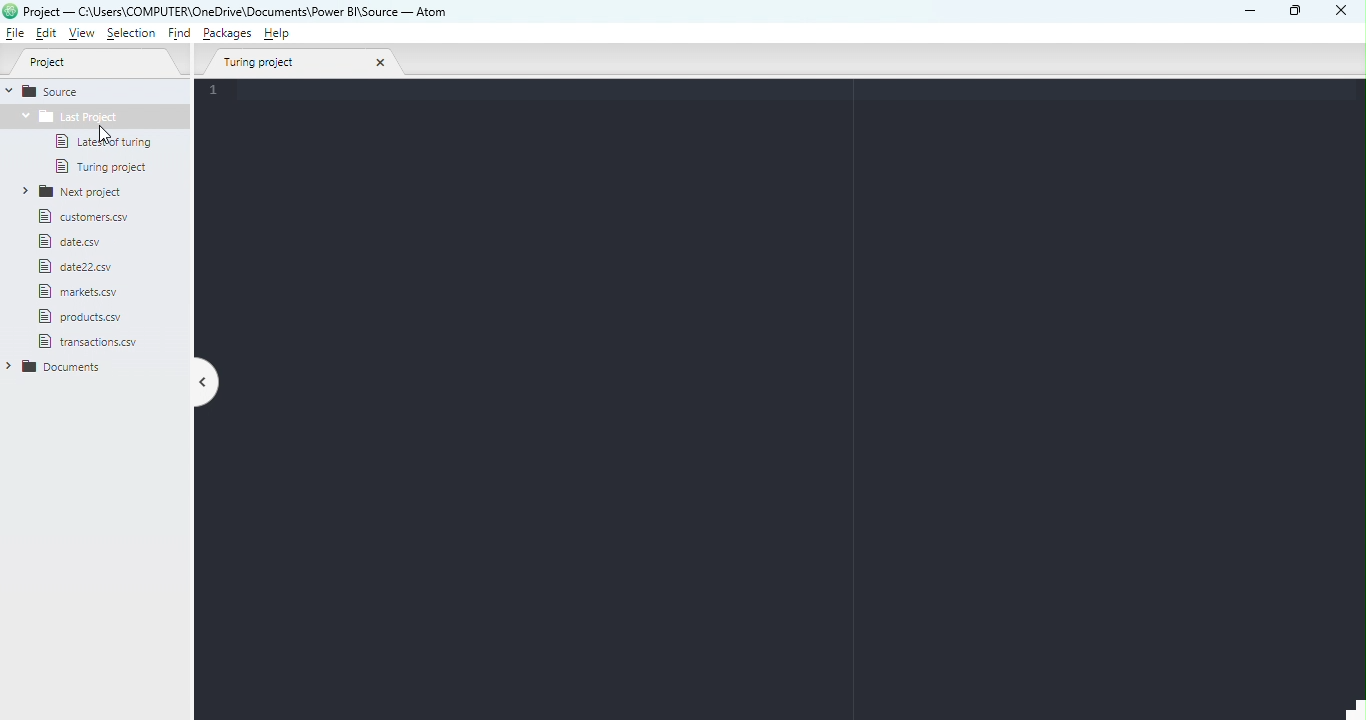  I want to click on Latest of Turing, so click(102, 144).